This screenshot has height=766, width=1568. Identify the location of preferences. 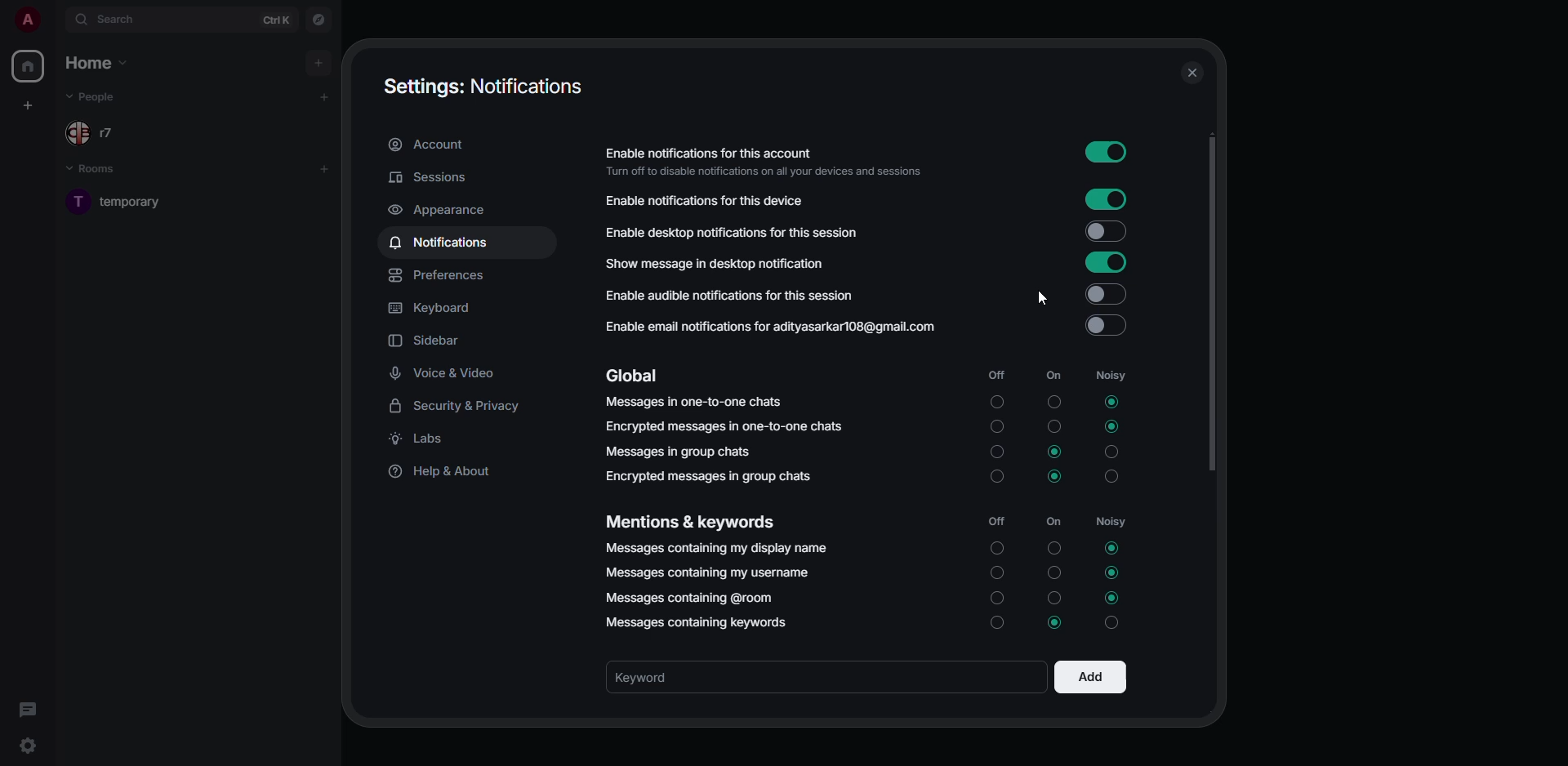
(439, 276).